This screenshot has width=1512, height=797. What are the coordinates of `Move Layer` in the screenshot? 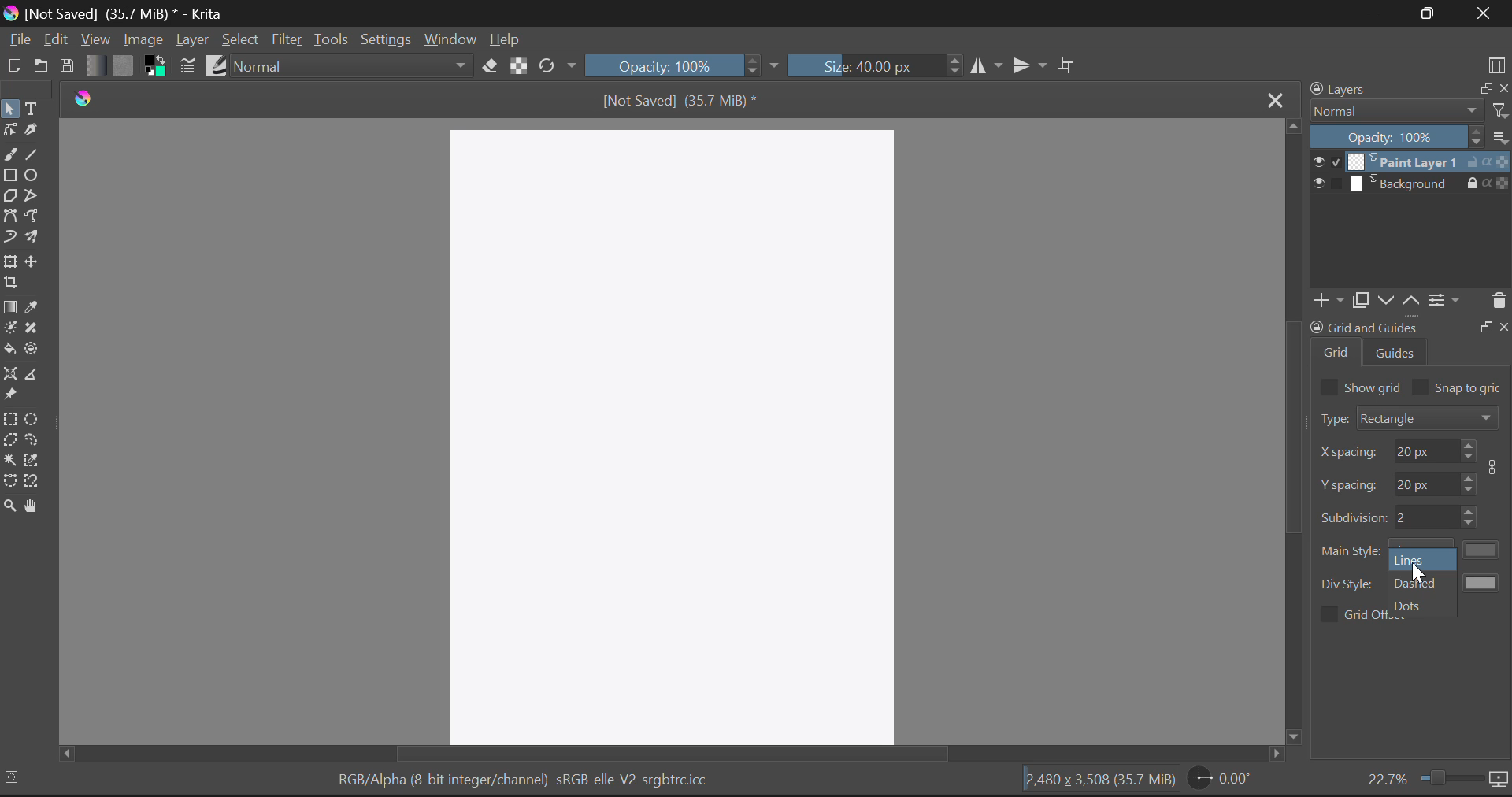 It's located at (34, 261).